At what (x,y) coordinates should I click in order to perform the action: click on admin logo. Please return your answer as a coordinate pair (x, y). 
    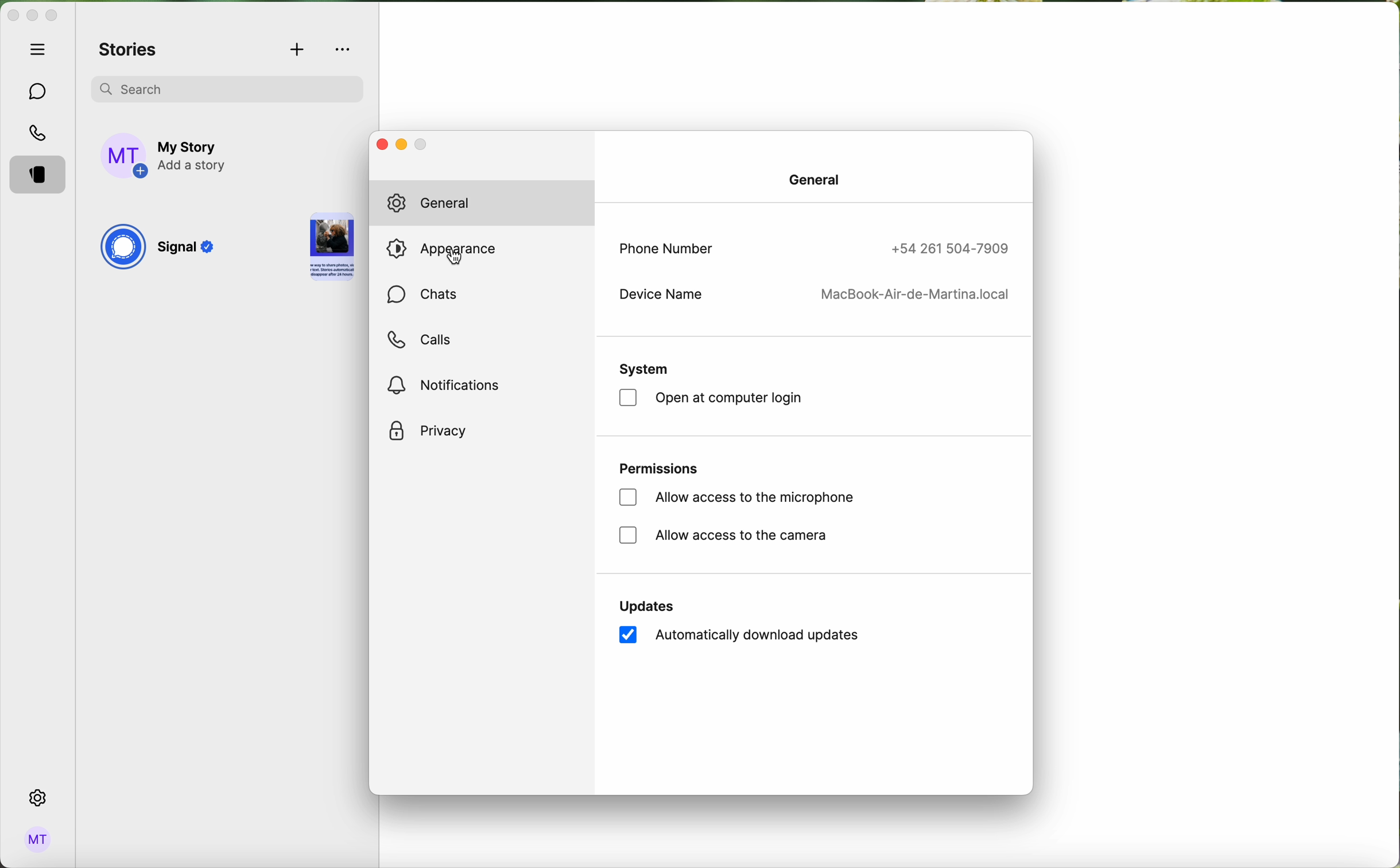
    Looking at the image, I should click on (36, 840).